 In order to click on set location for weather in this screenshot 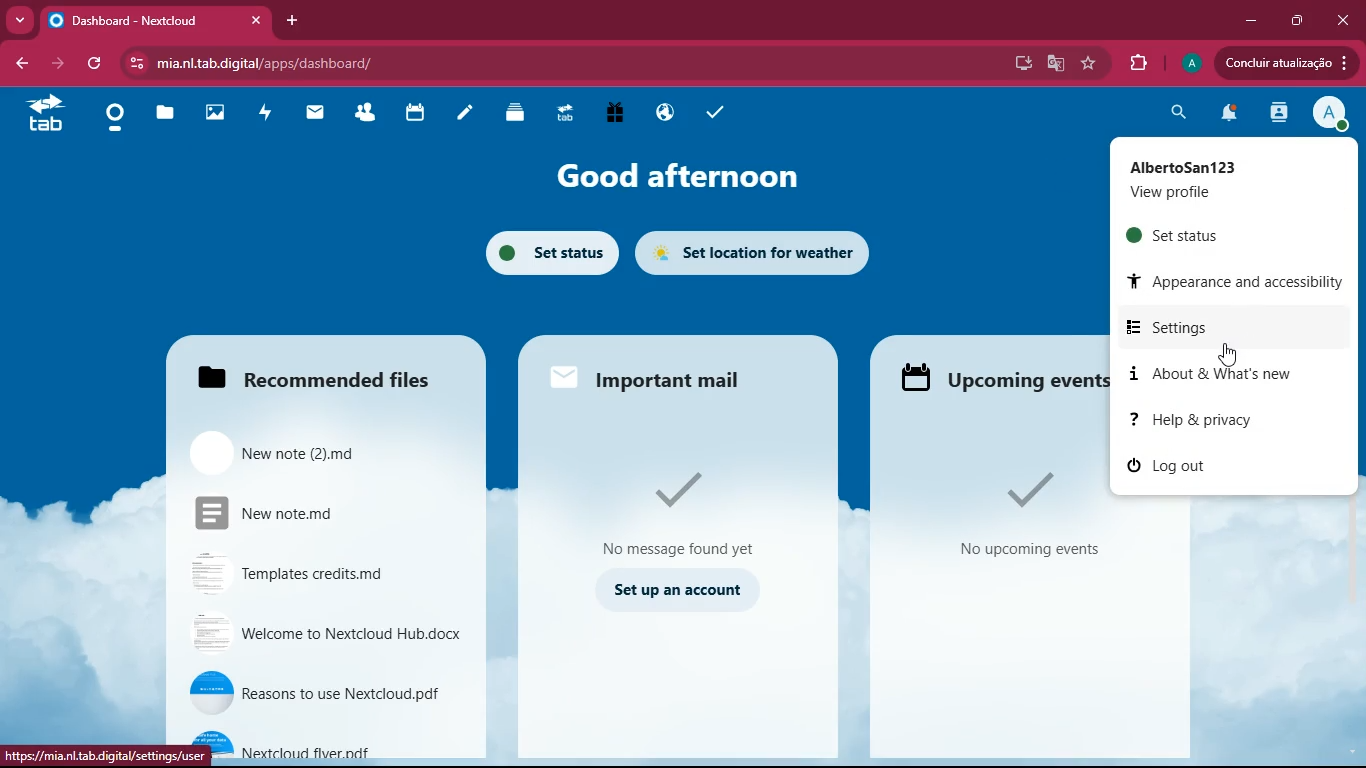, I will do `click(767, 255)`.